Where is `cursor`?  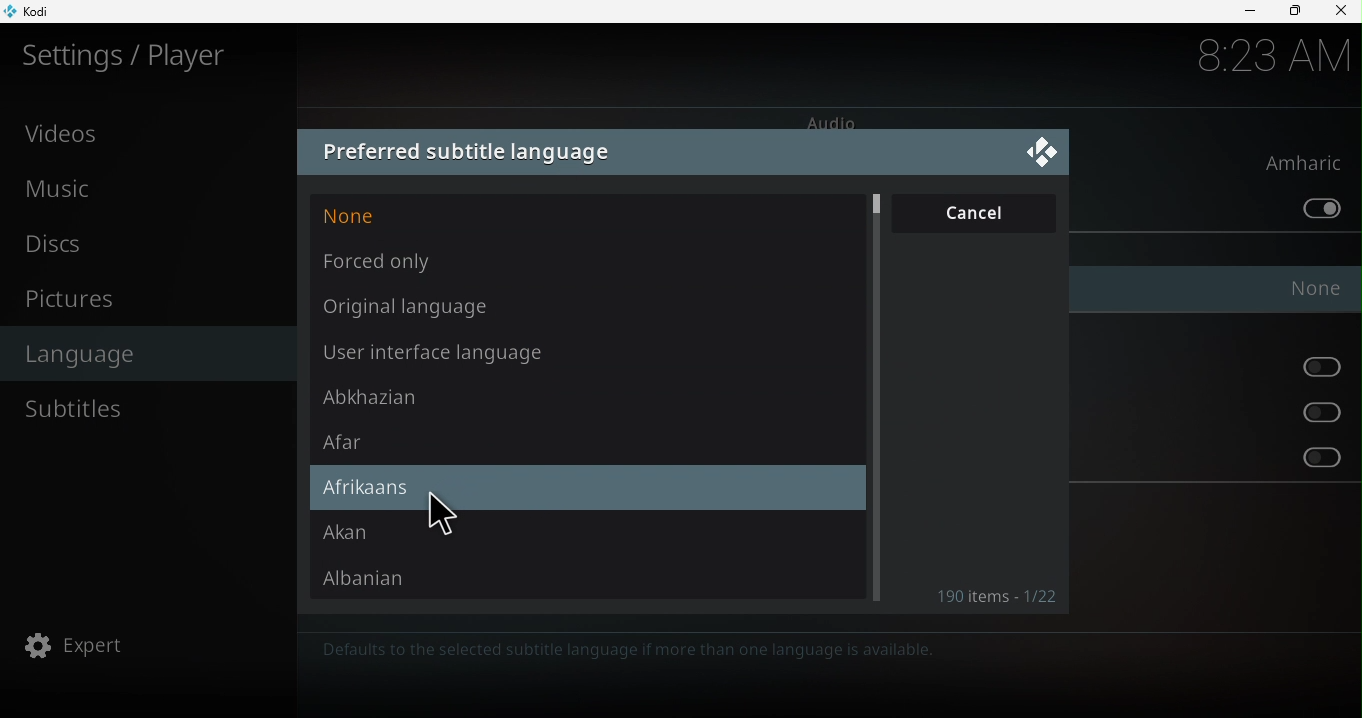 cursor is located at coordinates (442, 514).